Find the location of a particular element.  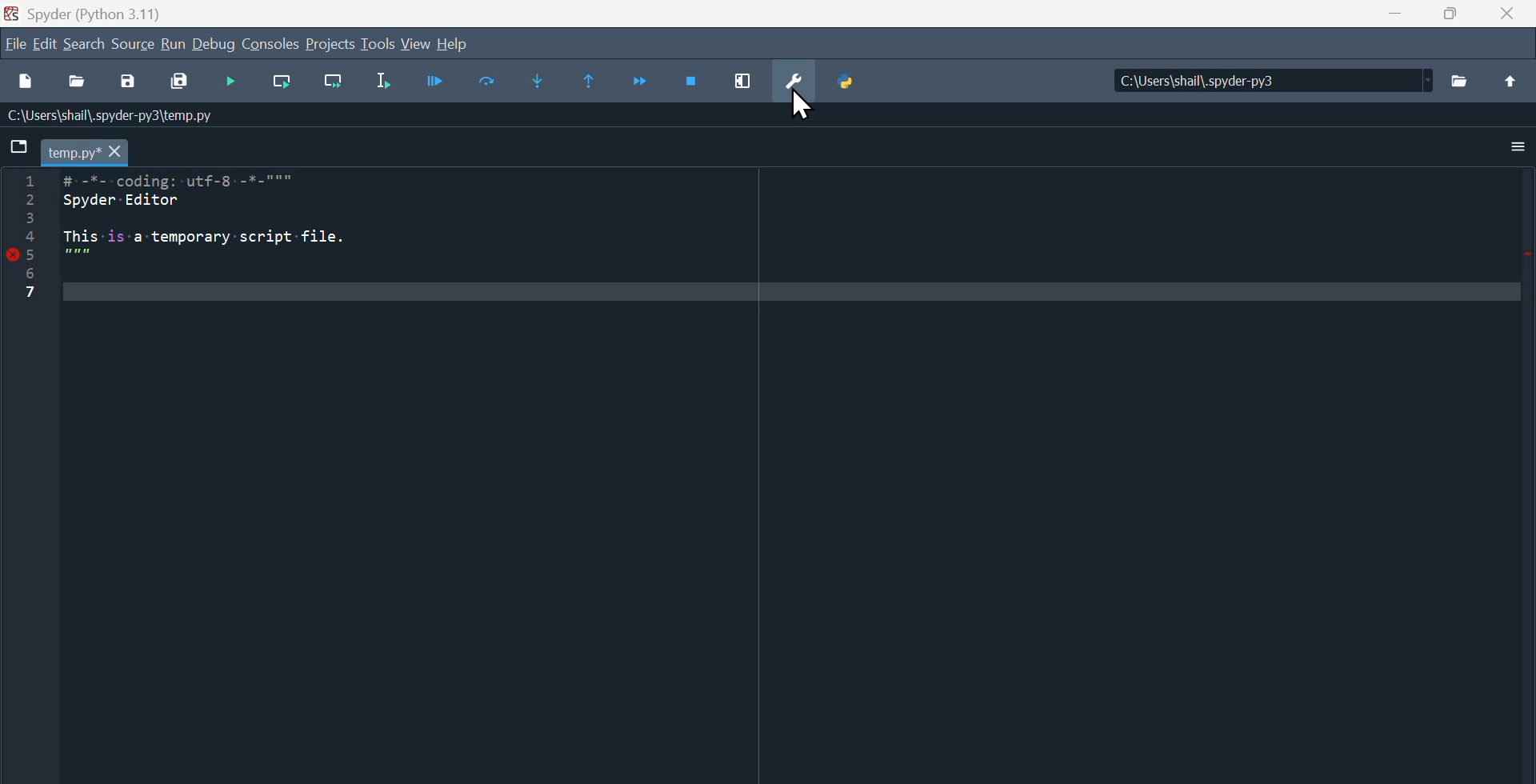

Stop debugging is located at coordinates (693, 83).